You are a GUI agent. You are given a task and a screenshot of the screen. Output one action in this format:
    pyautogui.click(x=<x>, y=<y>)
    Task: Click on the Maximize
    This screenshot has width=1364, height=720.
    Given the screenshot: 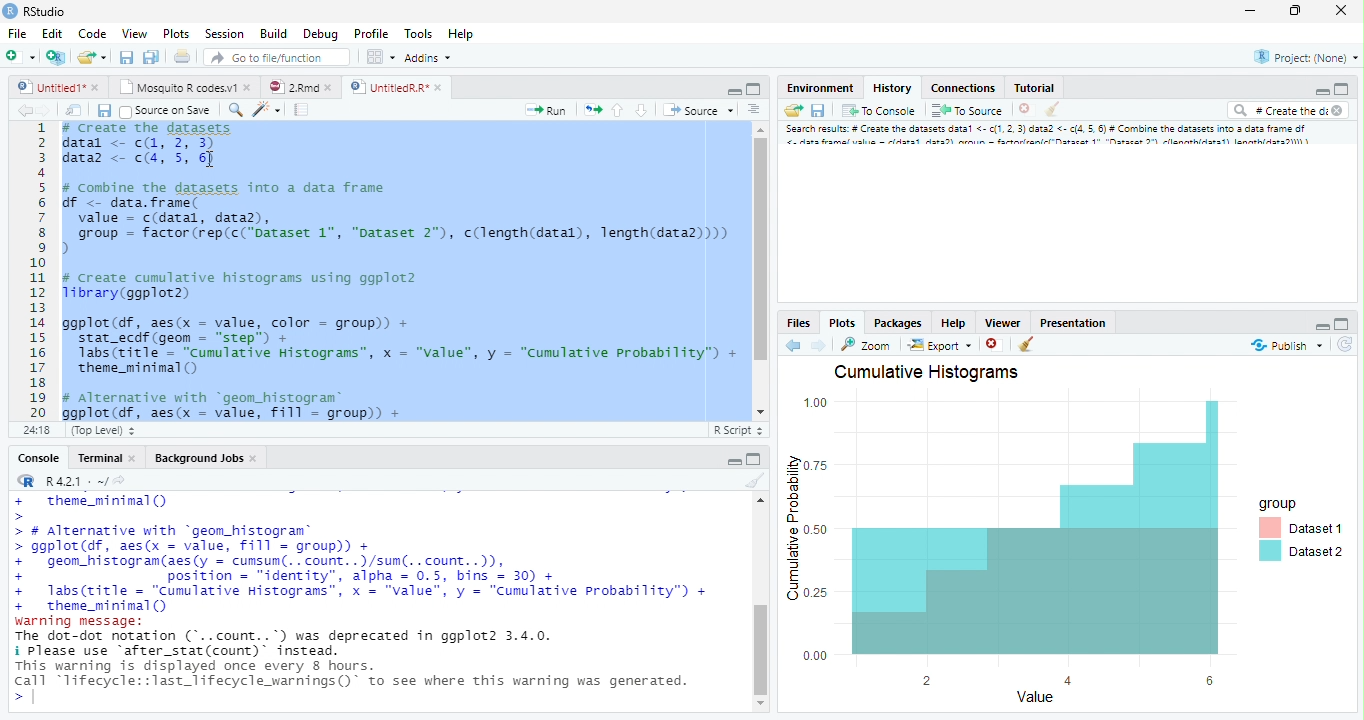 What is the action you would take?
    pyautogui.click(x=1294, y=11)
    